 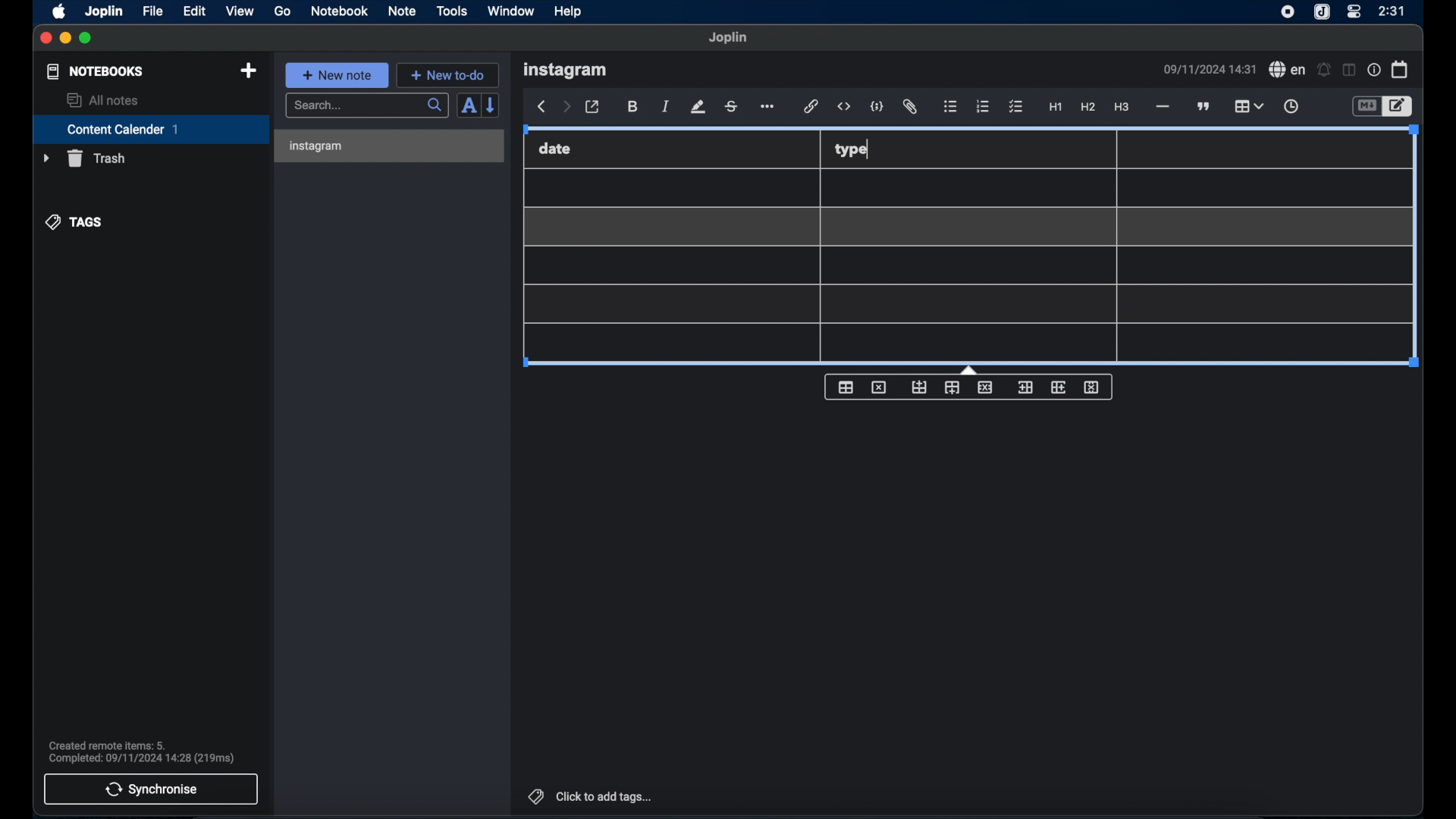 What do you see at coordinates (64, 39) in the screenshot?
I see `minimize` at bounding box center [64, 39].